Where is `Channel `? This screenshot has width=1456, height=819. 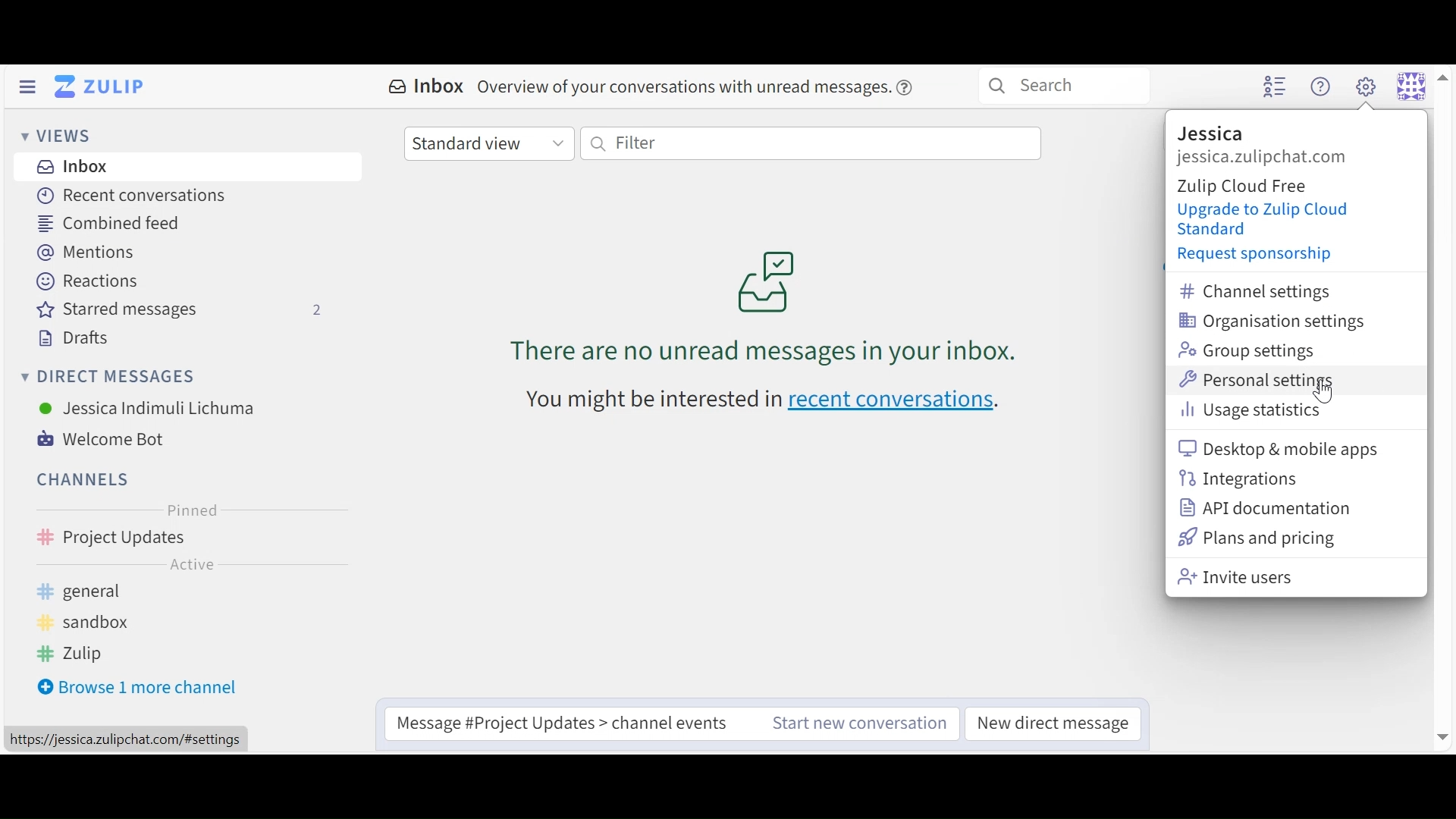 Channel  is located at coordinates (190, 536).